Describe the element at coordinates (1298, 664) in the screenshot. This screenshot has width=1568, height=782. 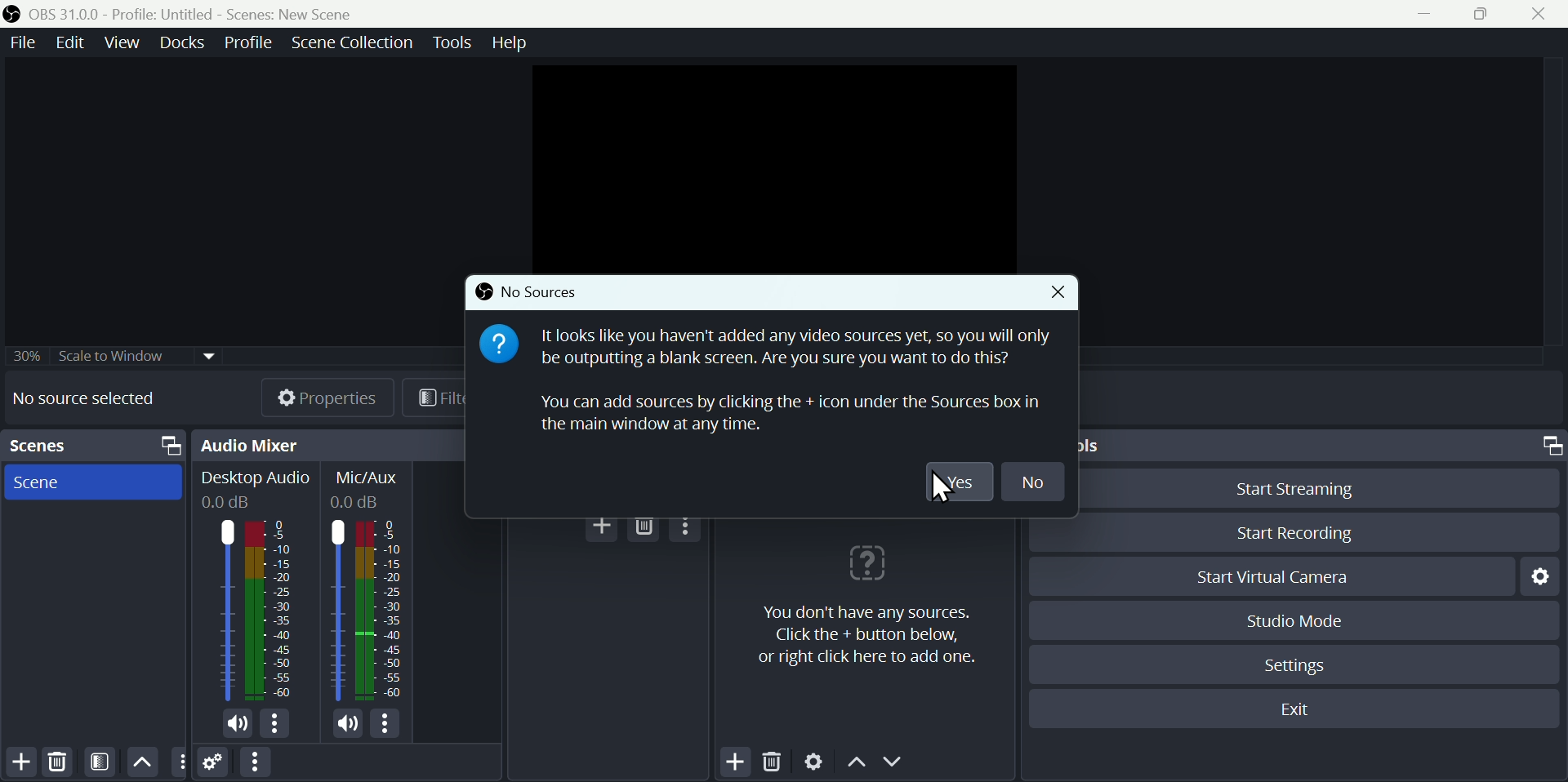
I see `Settings` at that location.